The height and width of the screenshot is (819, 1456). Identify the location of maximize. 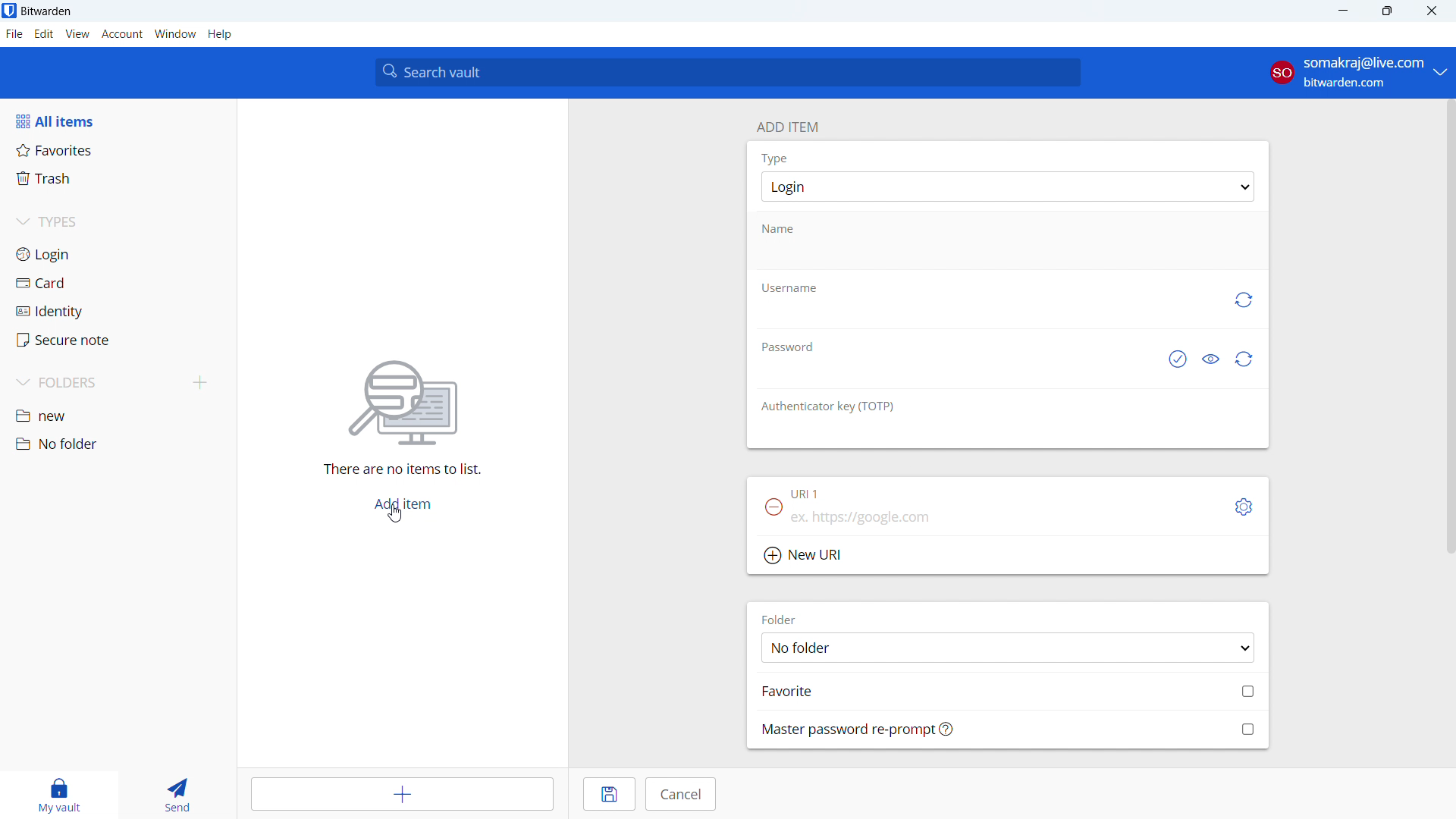
(1386, 11).